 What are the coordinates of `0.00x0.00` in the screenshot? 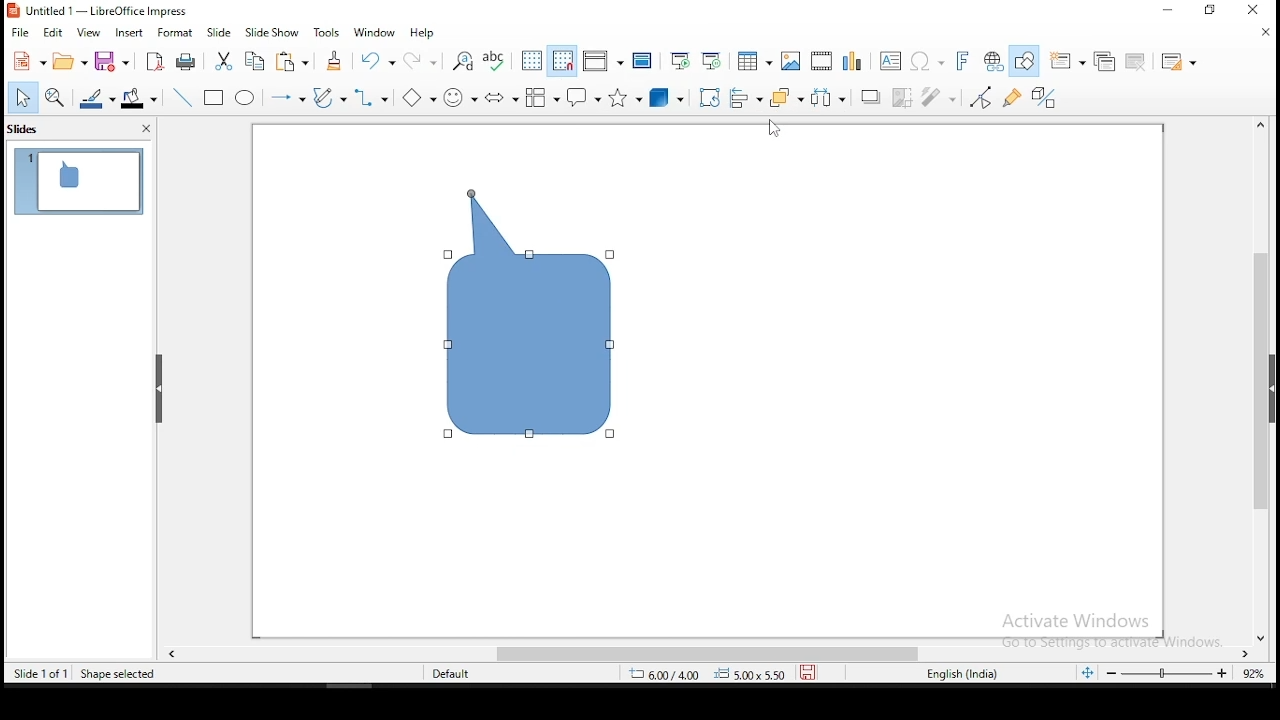 It's located at (752, 675).